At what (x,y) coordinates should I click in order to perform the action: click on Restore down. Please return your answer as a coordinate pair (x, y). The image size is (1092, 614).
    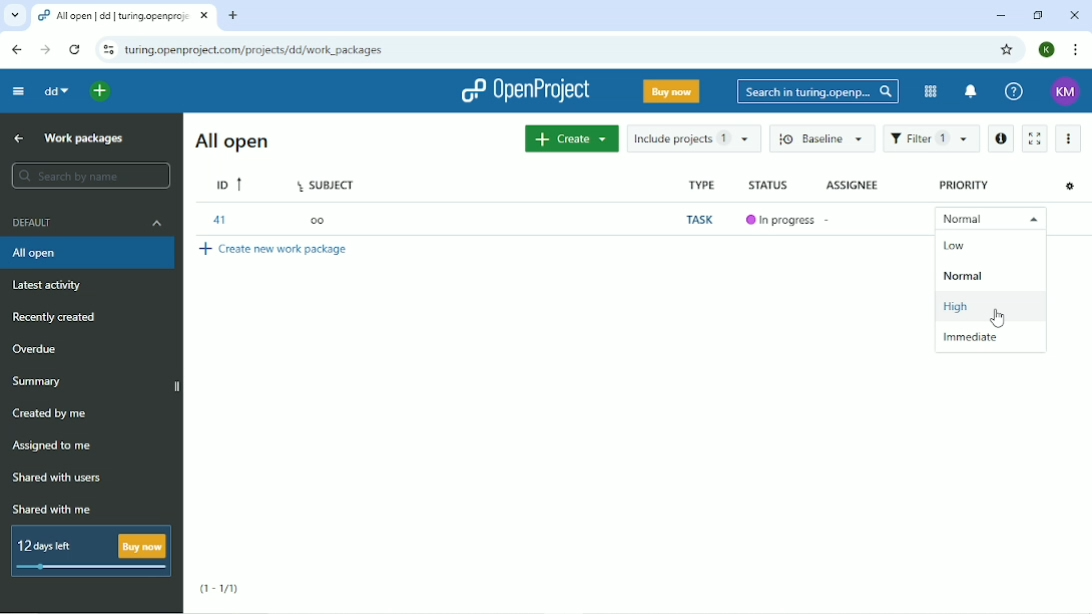
    Looking at the image, I should click on (1039, 16).